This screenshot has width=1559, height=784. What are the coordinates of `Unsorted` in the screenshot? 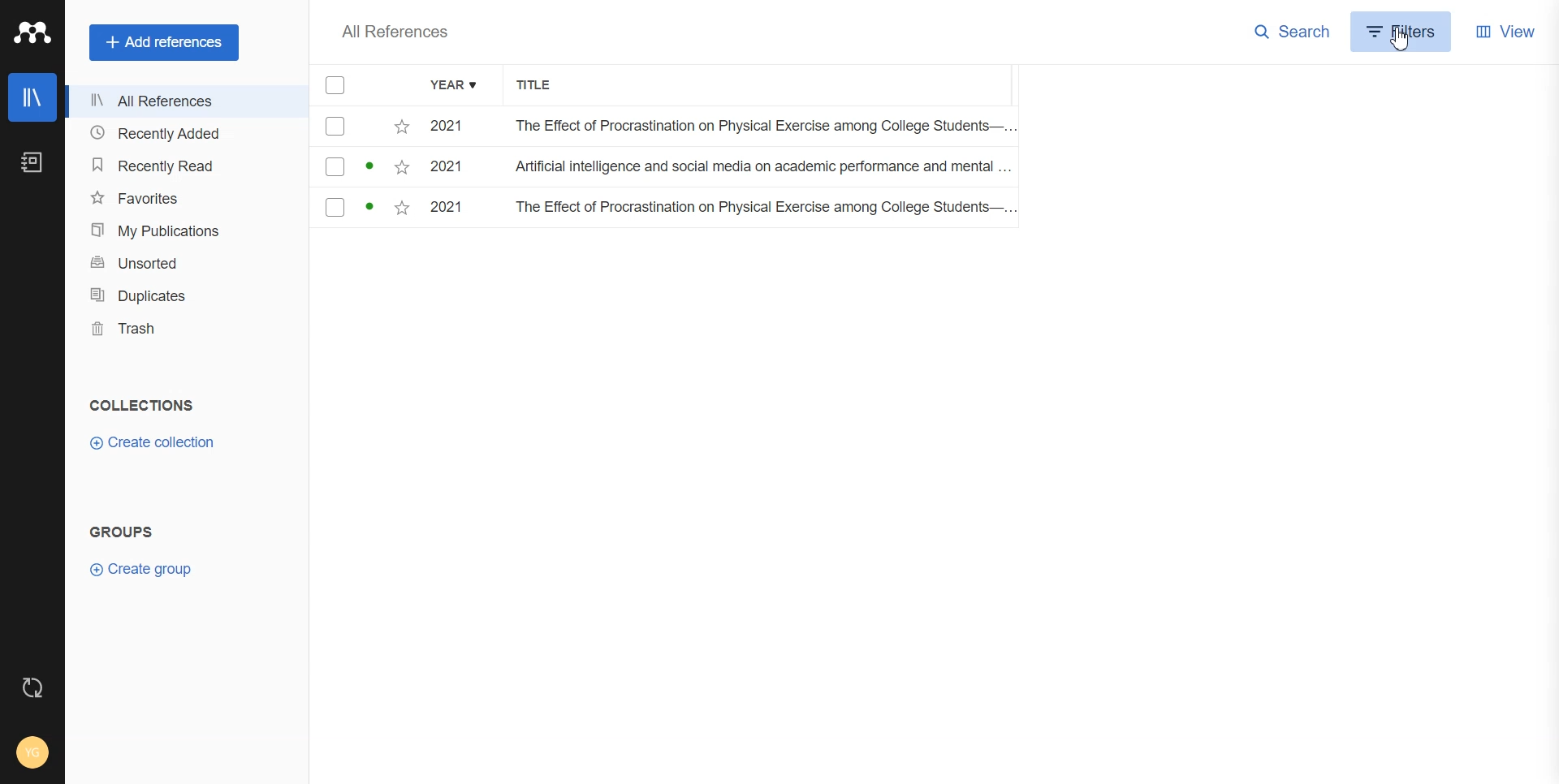 It's located at (185, 261).